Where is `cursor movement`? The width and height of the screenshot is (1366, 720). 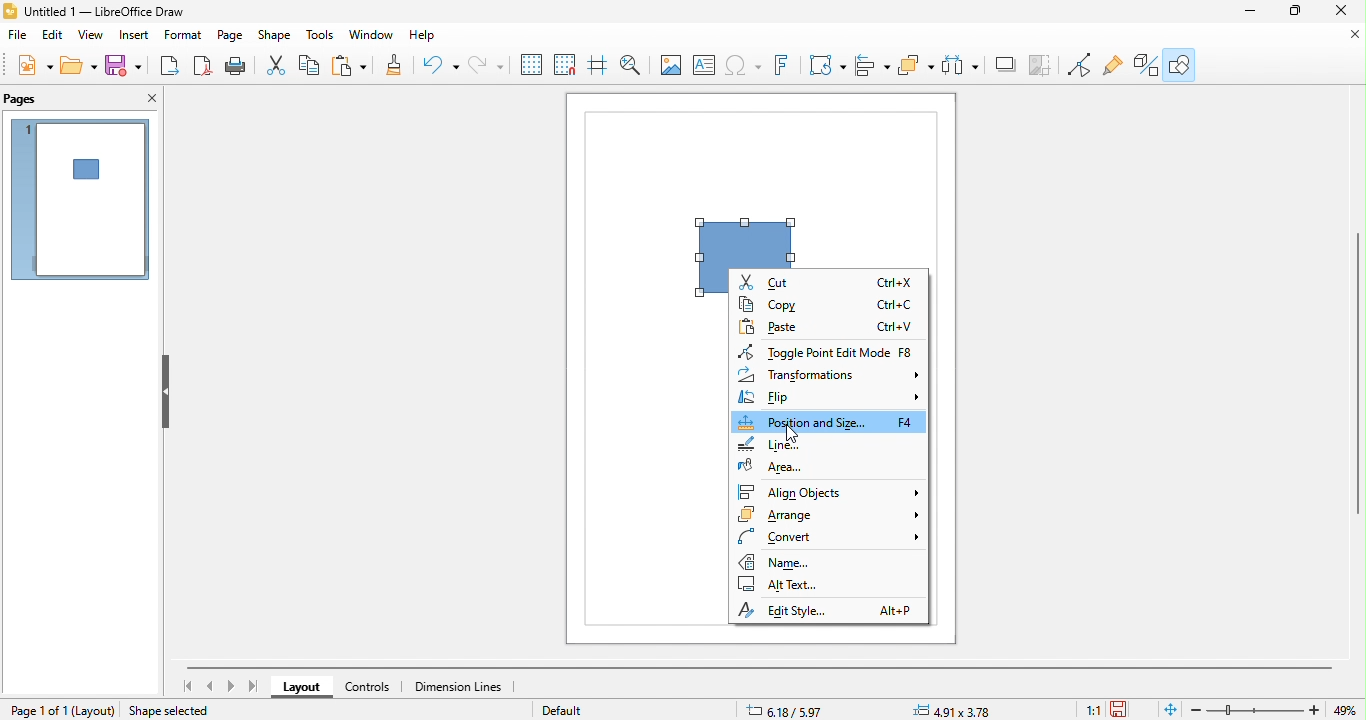
cursor movement is located at coordinates (788, 437).